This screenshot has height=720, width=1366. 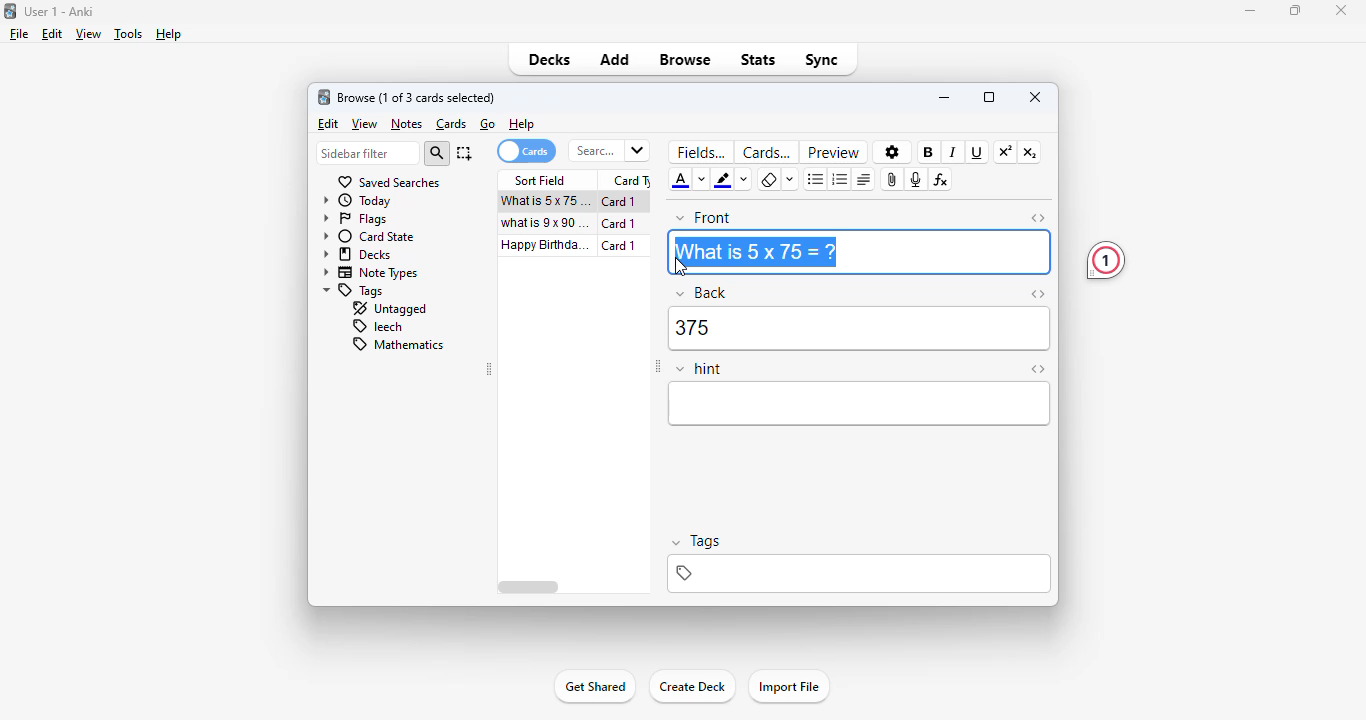 I want to click on browse, so click(x=686, y=59).